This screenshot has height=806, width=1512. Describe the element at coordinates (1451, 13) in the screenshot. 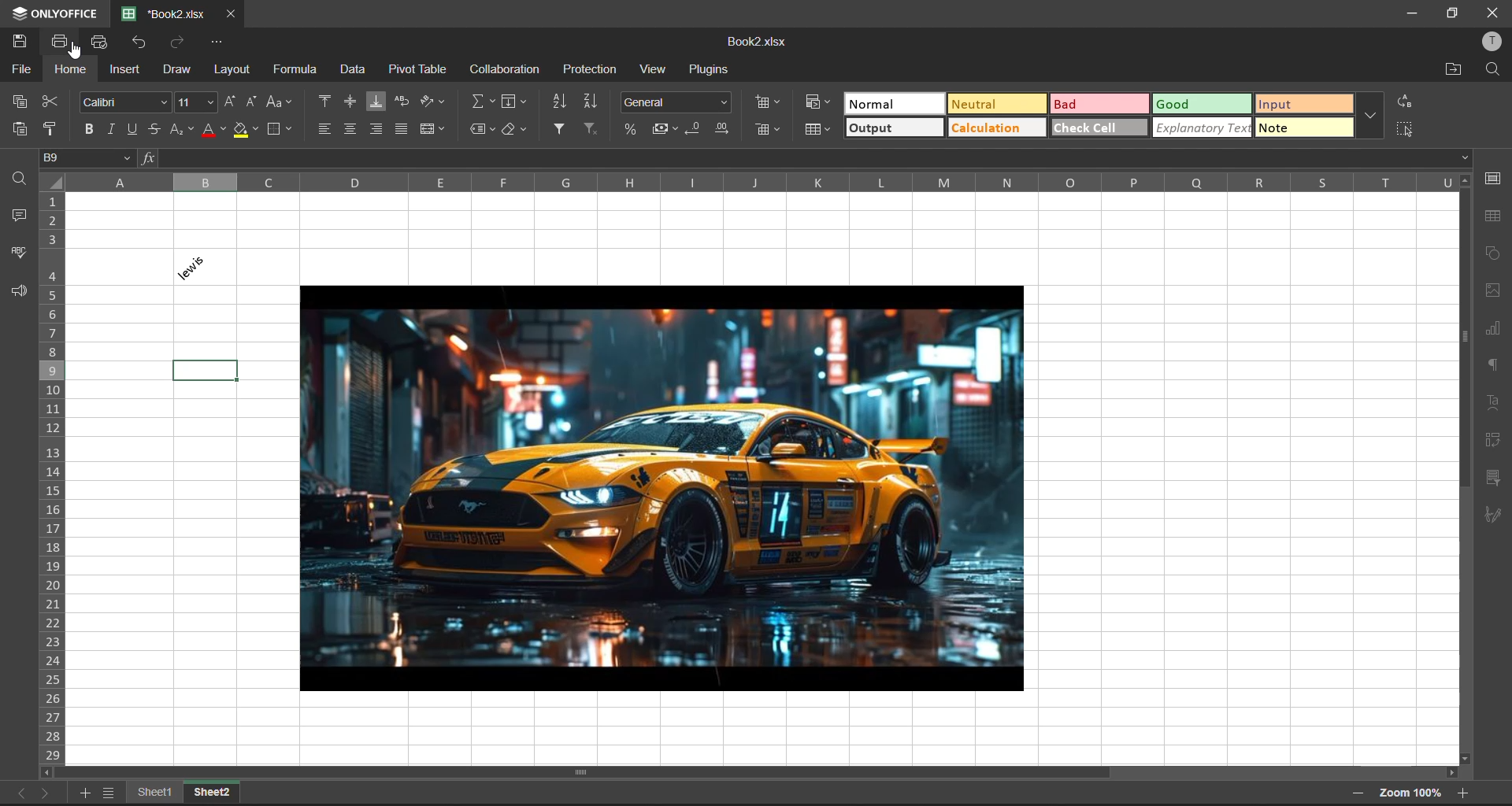

I see `maximize` at that location.